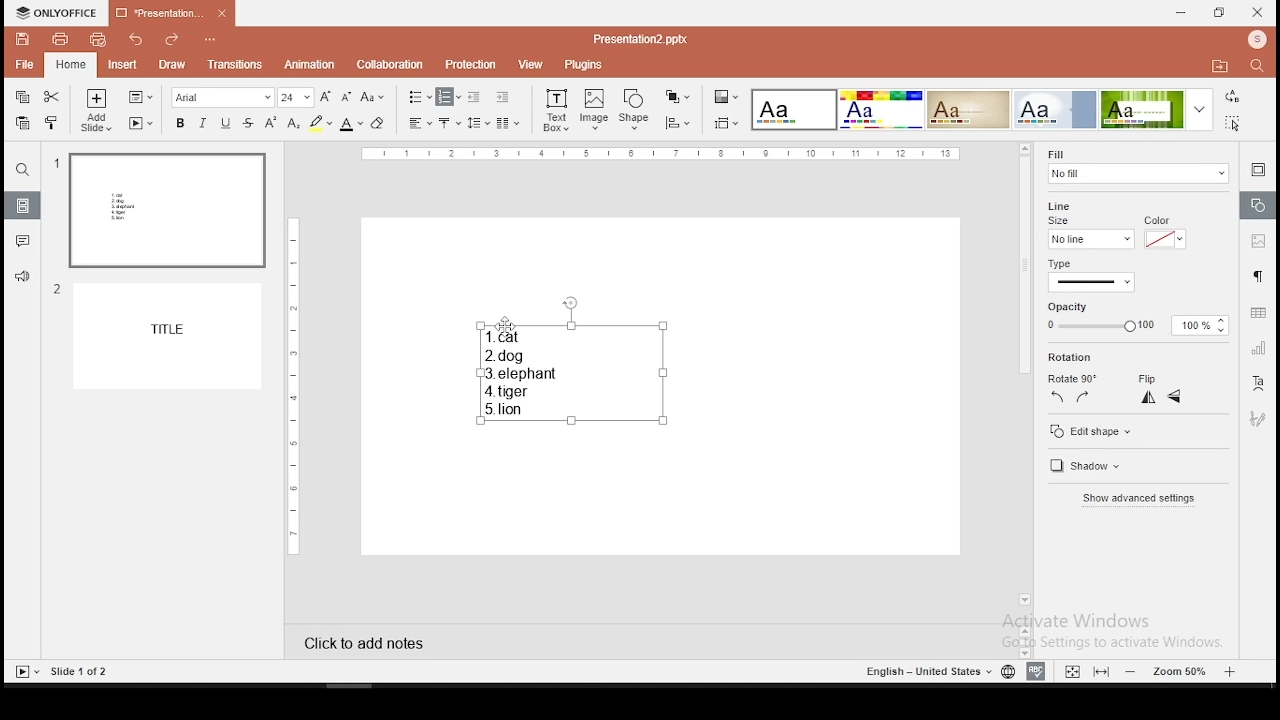  Describe the element at coordinates (21, 170) in the screenshot. I see `find` at that location.